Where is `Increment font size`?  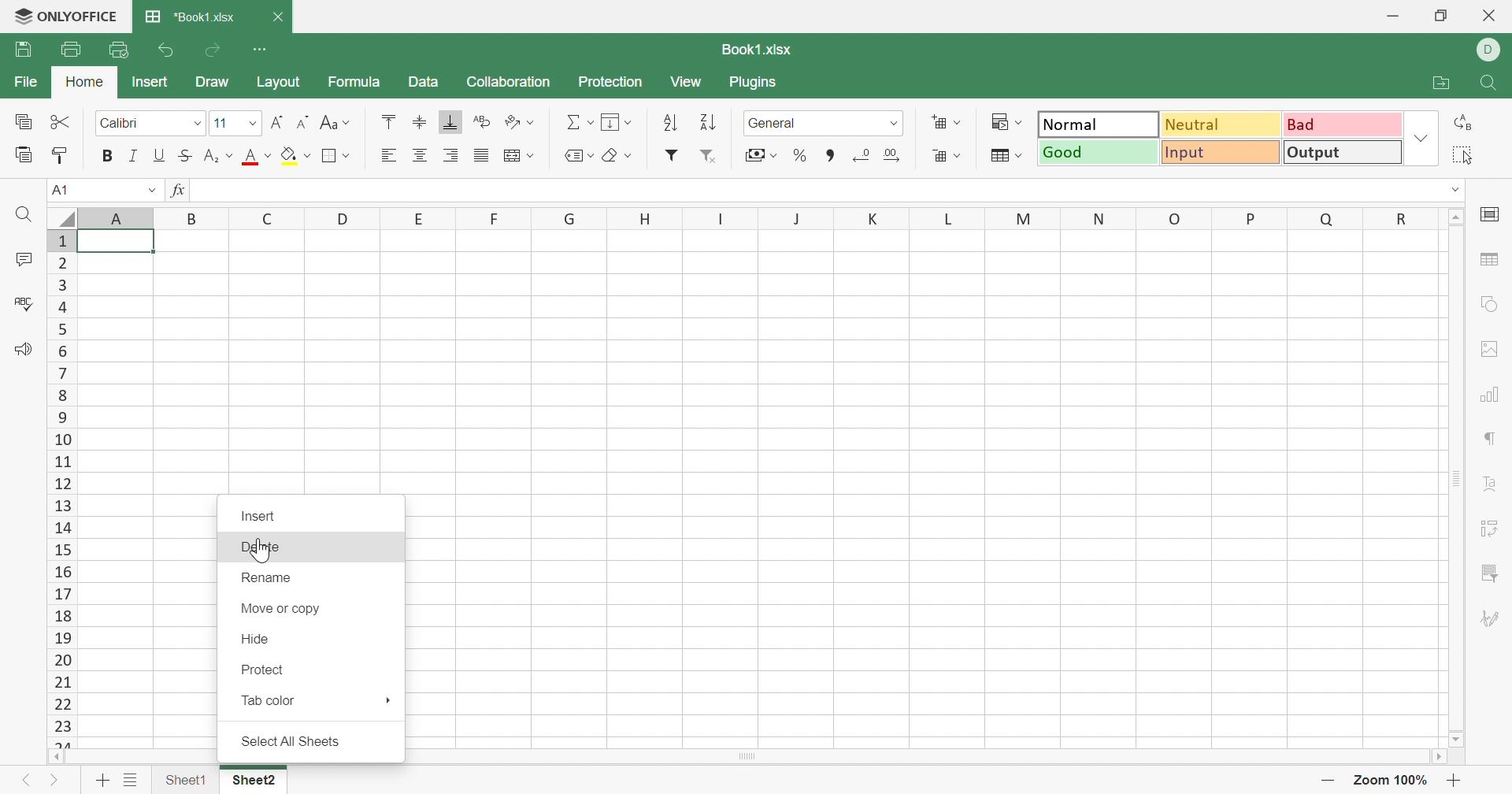
Increment font size is located at coordinates (277, 121).